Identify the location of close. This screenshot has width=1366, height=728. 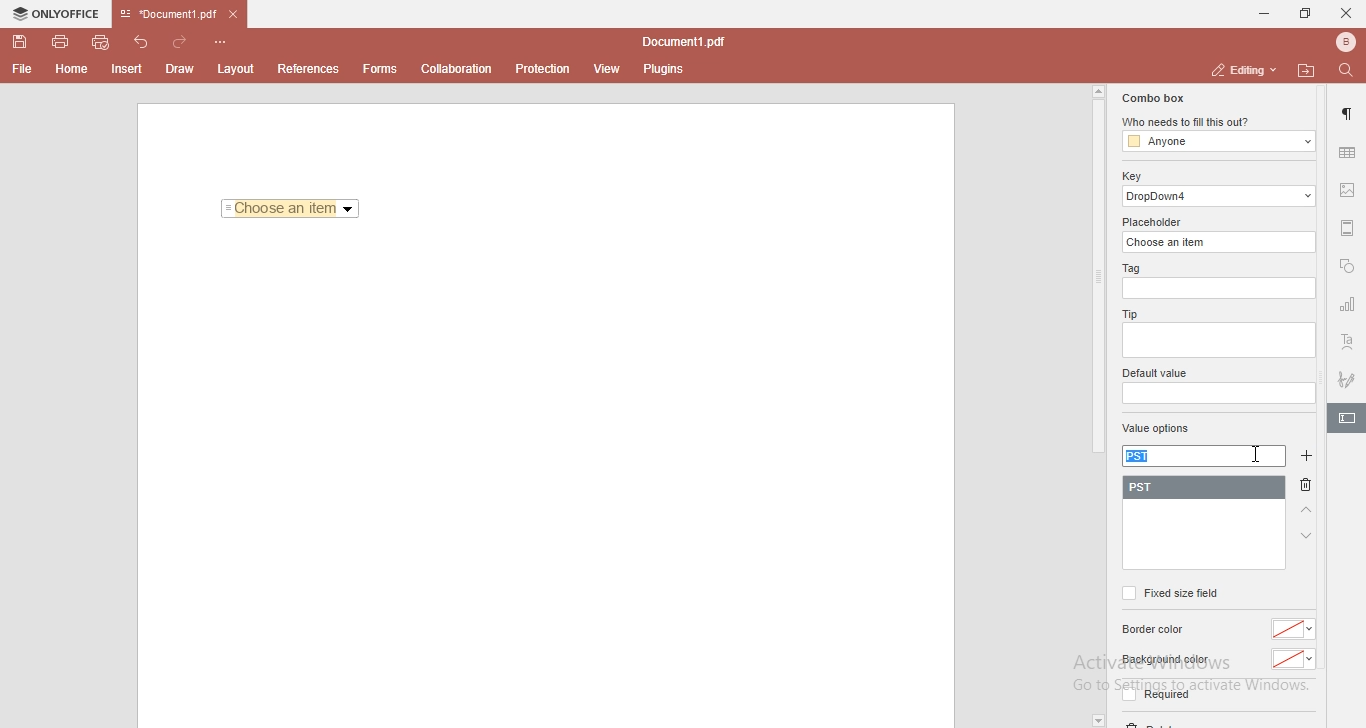
(1346, 12).